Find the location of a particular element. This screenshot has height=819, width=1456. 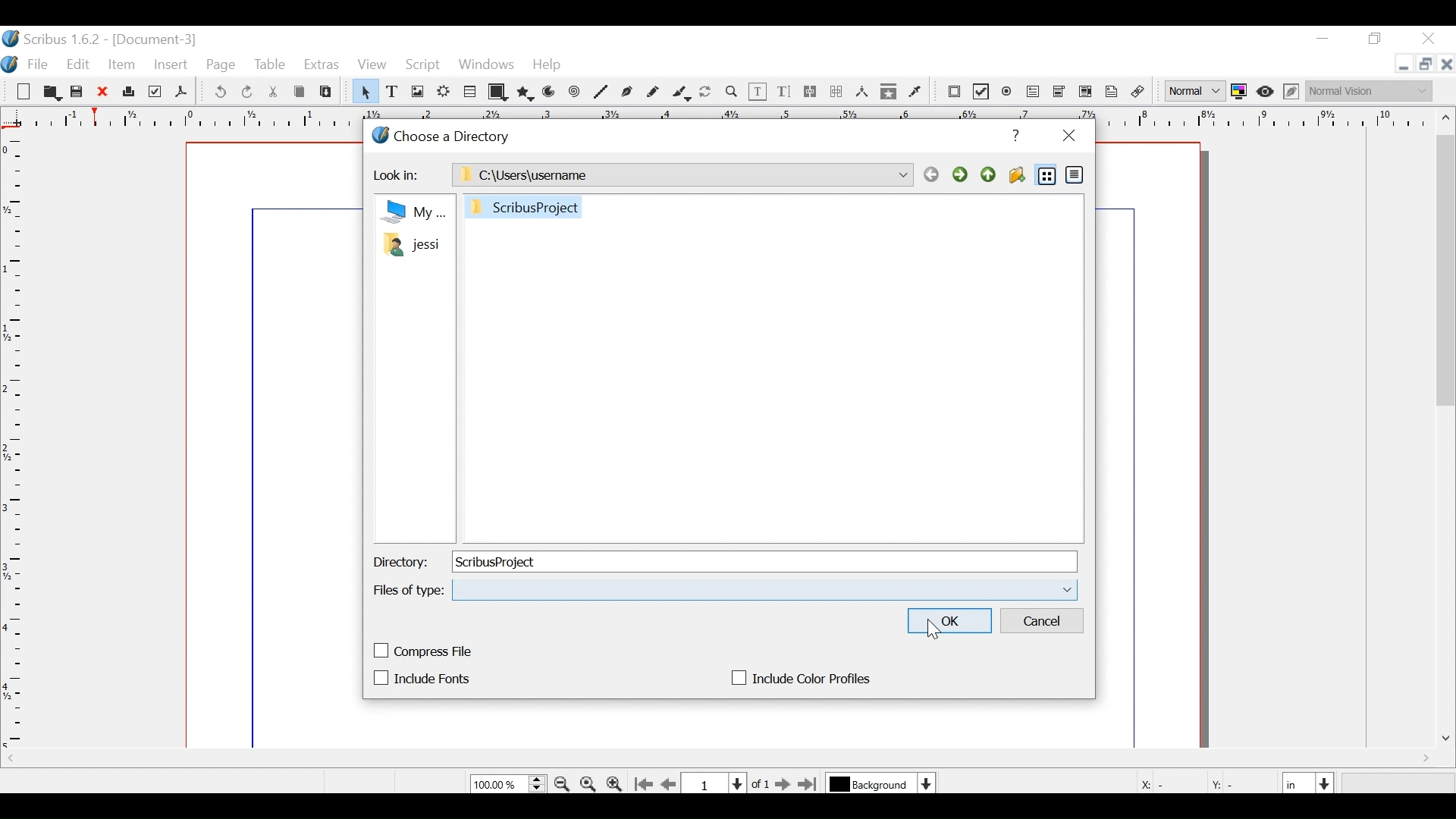

Select the visual appearnce is located at coordinates (1373, 91).